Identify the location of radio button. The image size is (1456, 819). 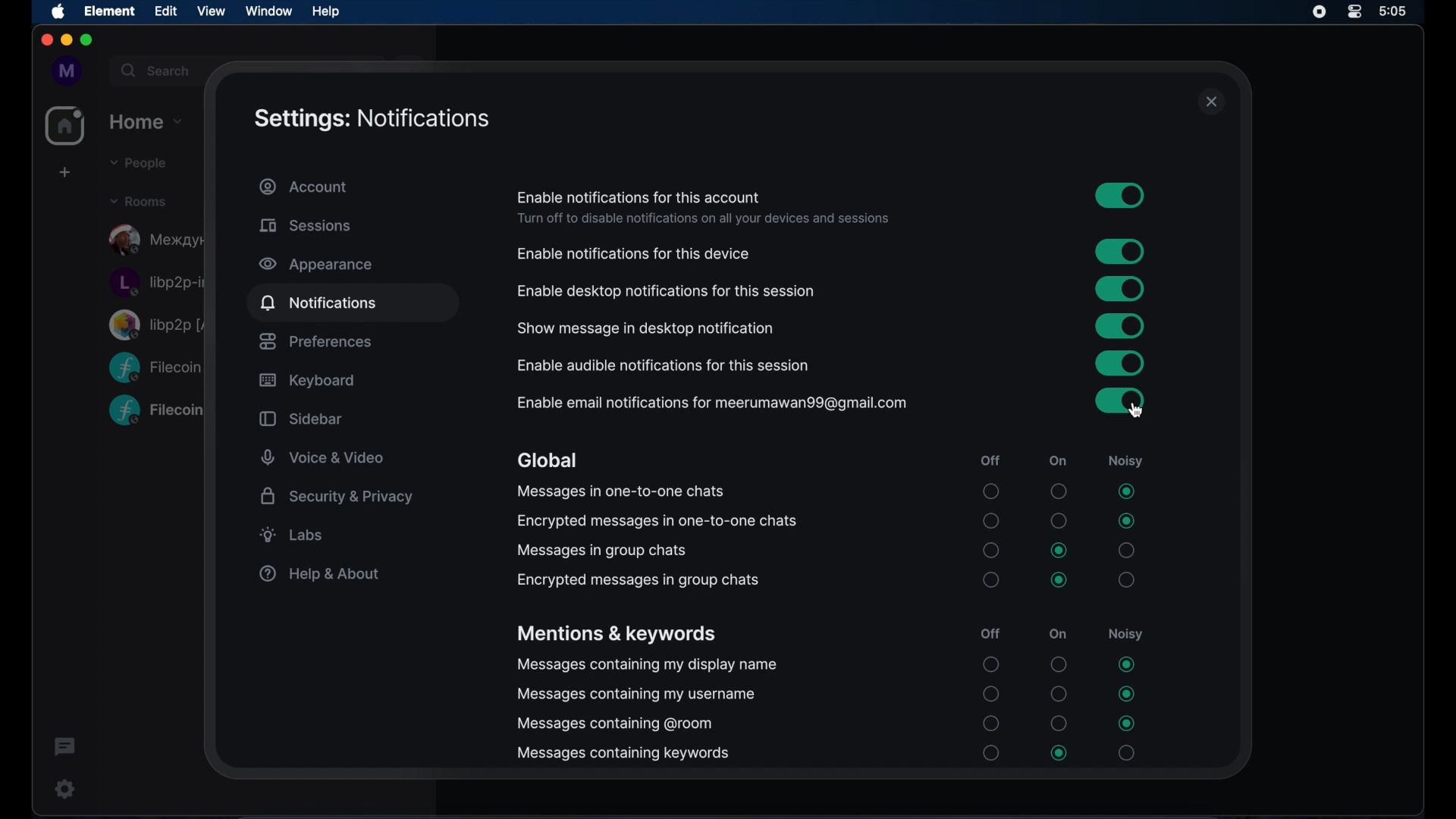
(991, 694).